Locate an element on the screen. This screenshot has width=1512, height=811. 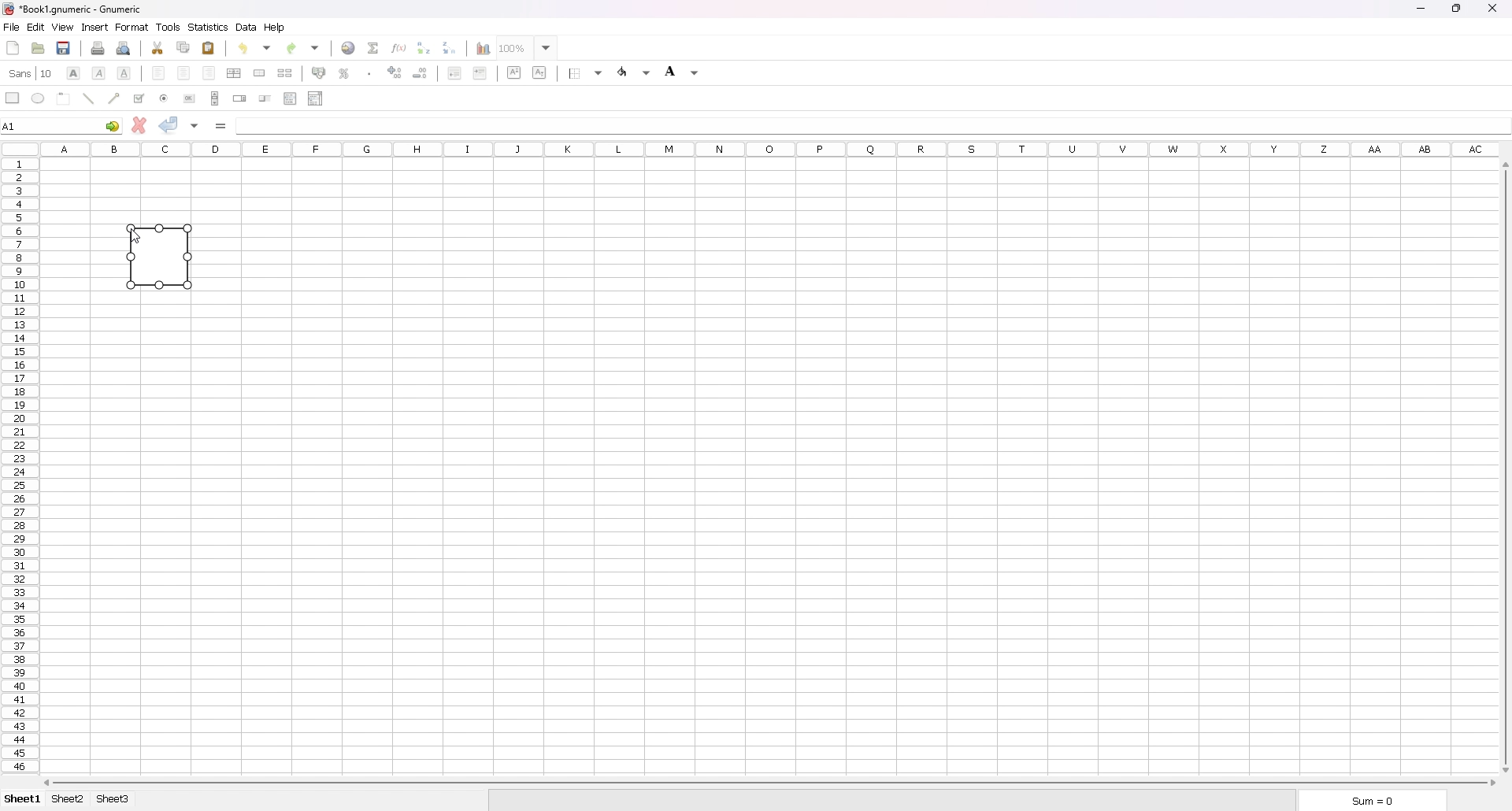
paste is located at coordinates (209, 47).